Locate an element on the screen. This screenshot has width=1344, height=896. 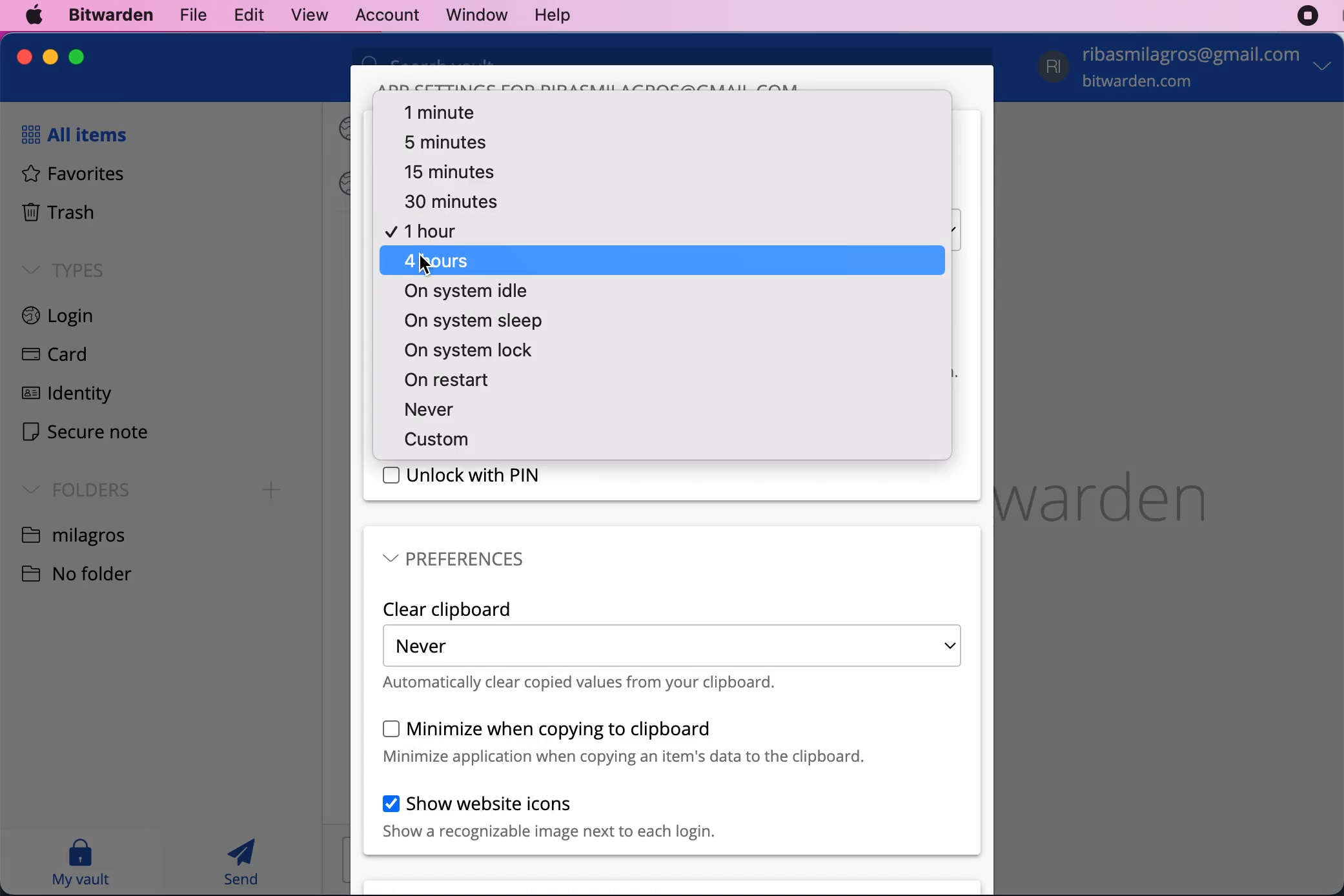
identity is located at coordinates (63, 396).